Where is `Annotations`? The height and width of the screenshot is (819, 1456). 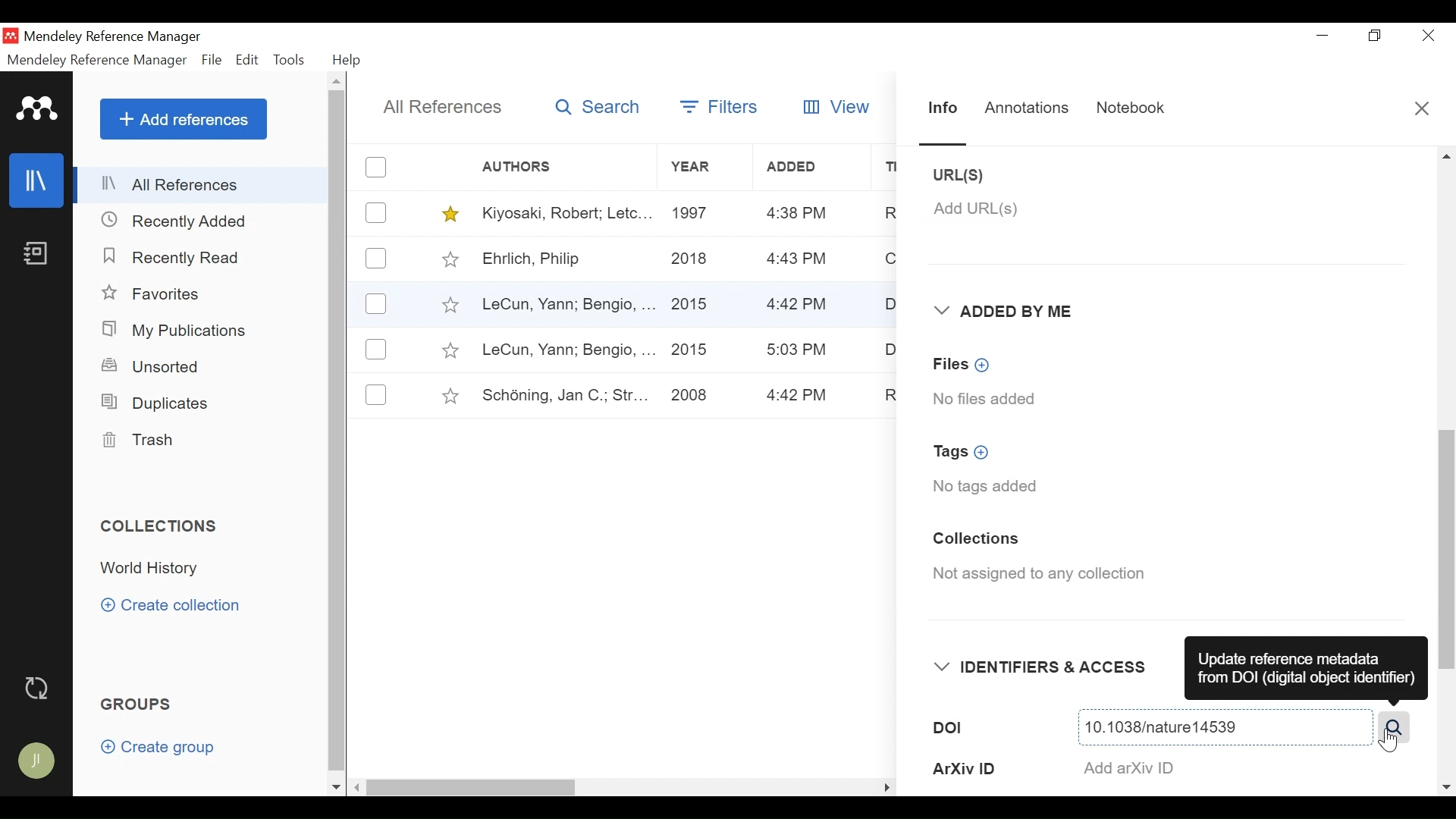
Annotations is located at coordinates (1027, 105).